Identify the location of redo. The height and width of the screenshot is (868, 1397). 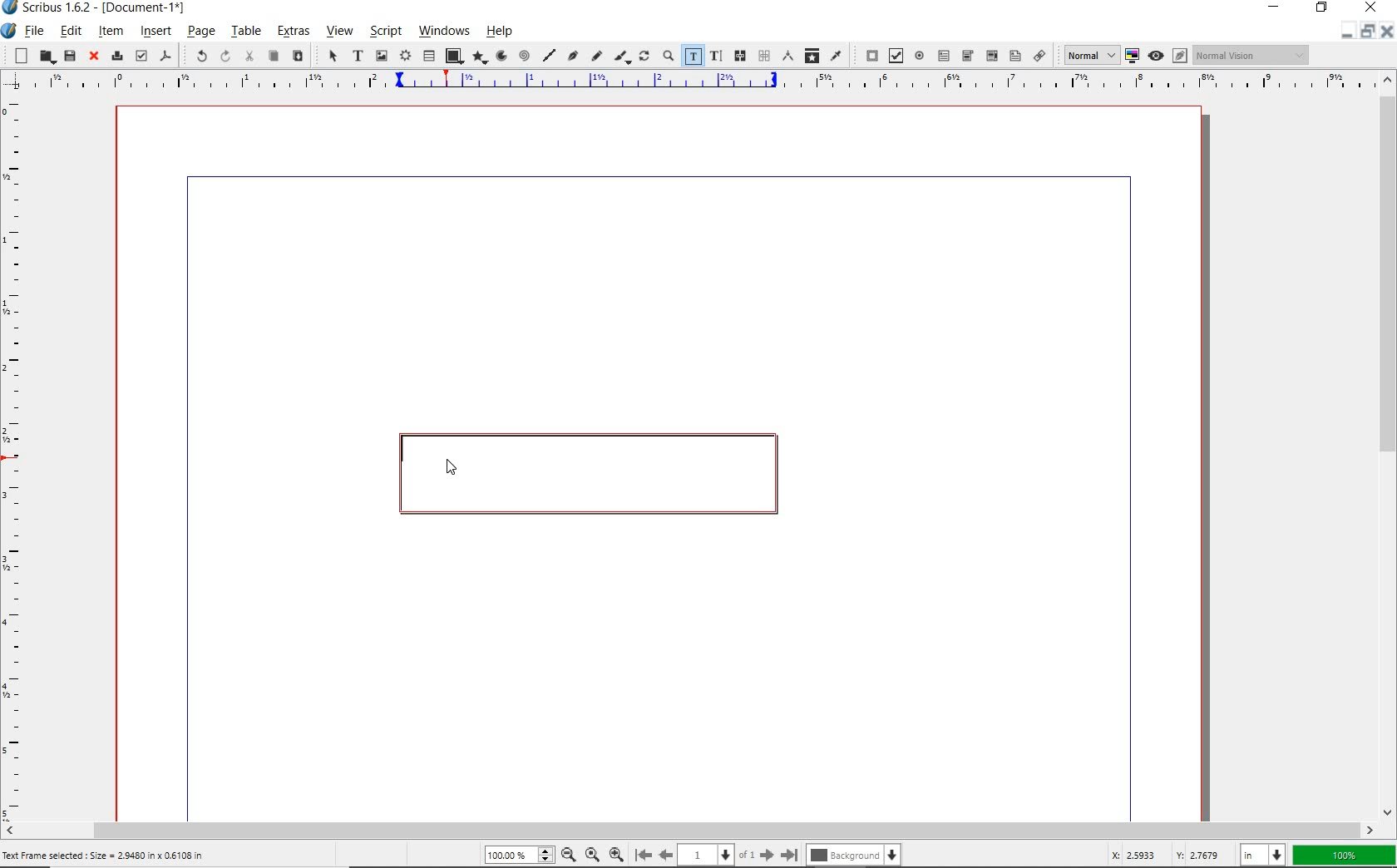
(224, 56).